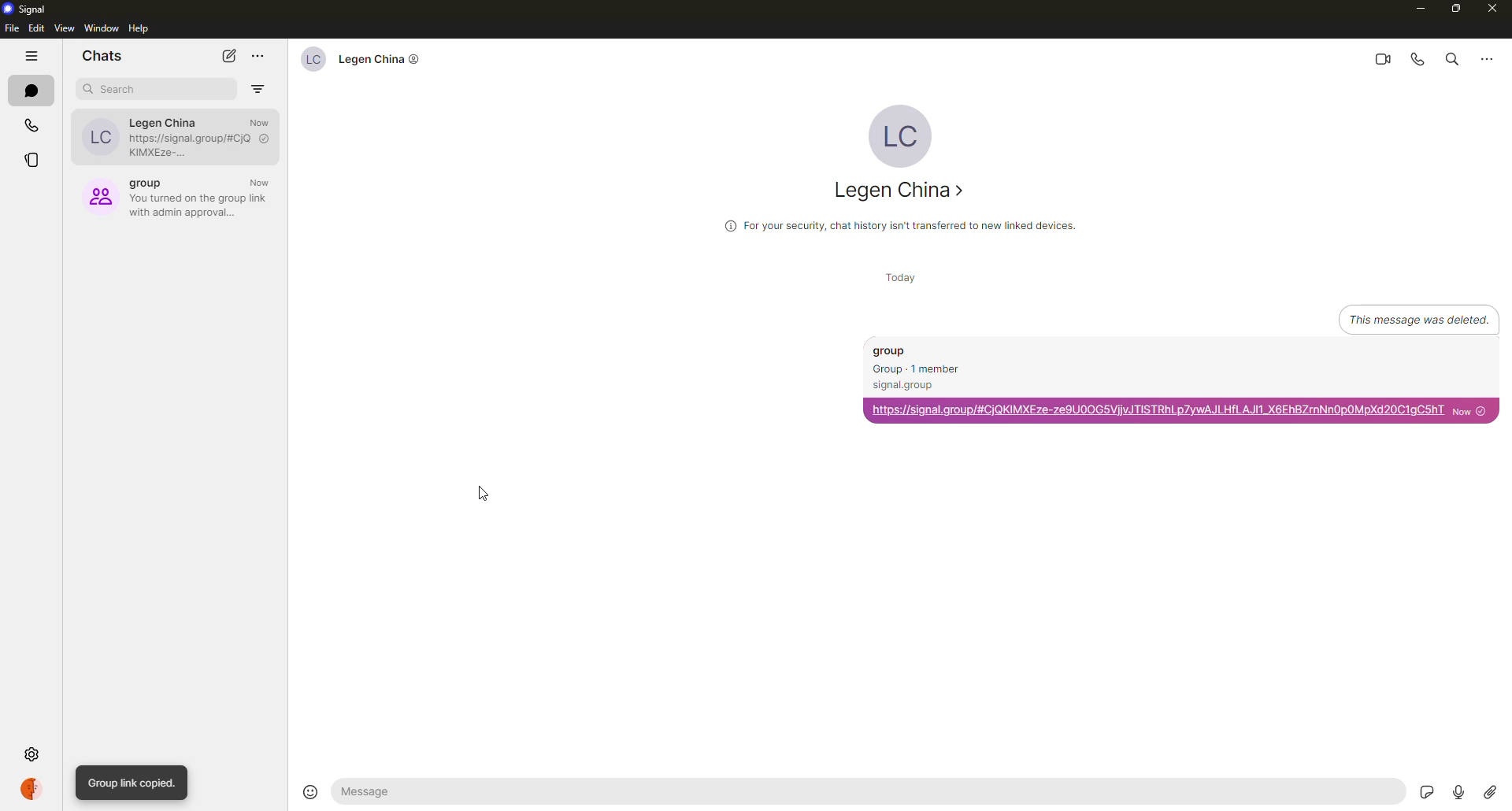  What do you see at coordinates (1457, 9) in the screenshot?
I see `maximize` at bounding box center [1457, 9].